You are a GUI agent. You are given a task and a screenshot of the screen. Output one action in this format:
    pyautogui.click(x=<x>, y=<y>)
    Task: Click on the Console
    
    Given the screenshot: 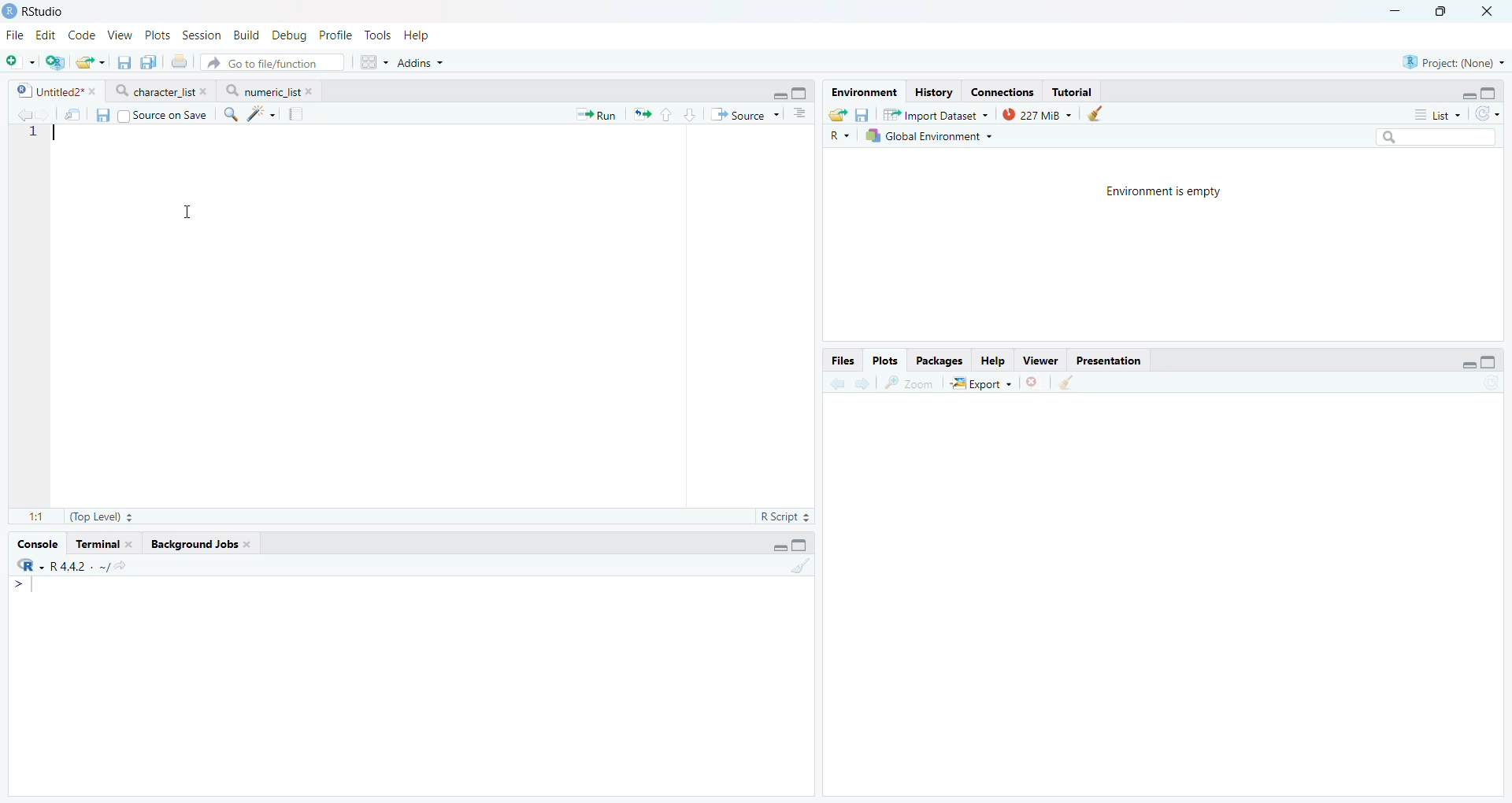 What is the action you would take?
    pyautogui.click(x=410, y=686)
    